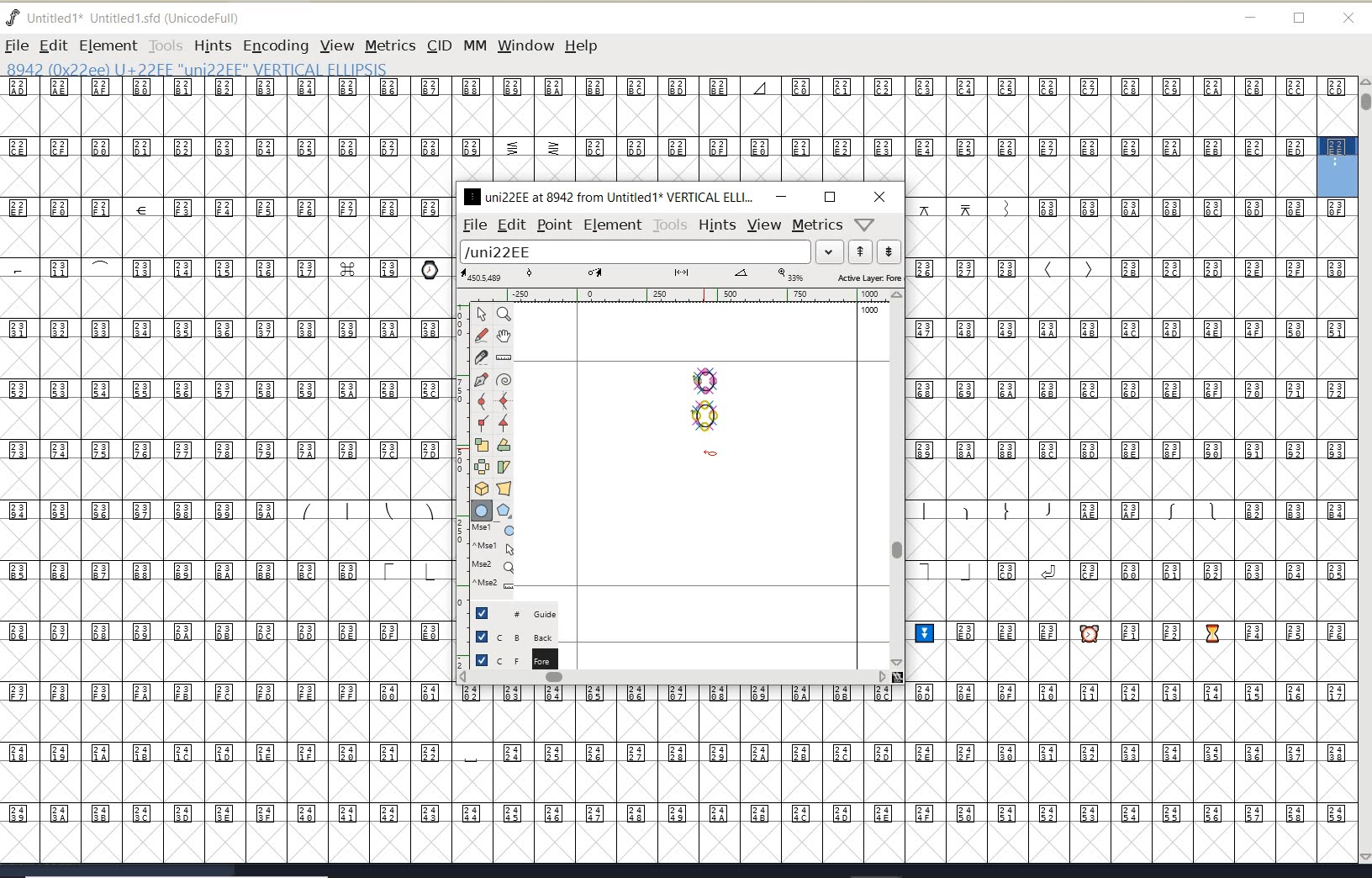 The height and width of the screenshot is (878, 1372). Describe the element at coordinates (1348, 19) in the screenshot. I see `close` at that location.